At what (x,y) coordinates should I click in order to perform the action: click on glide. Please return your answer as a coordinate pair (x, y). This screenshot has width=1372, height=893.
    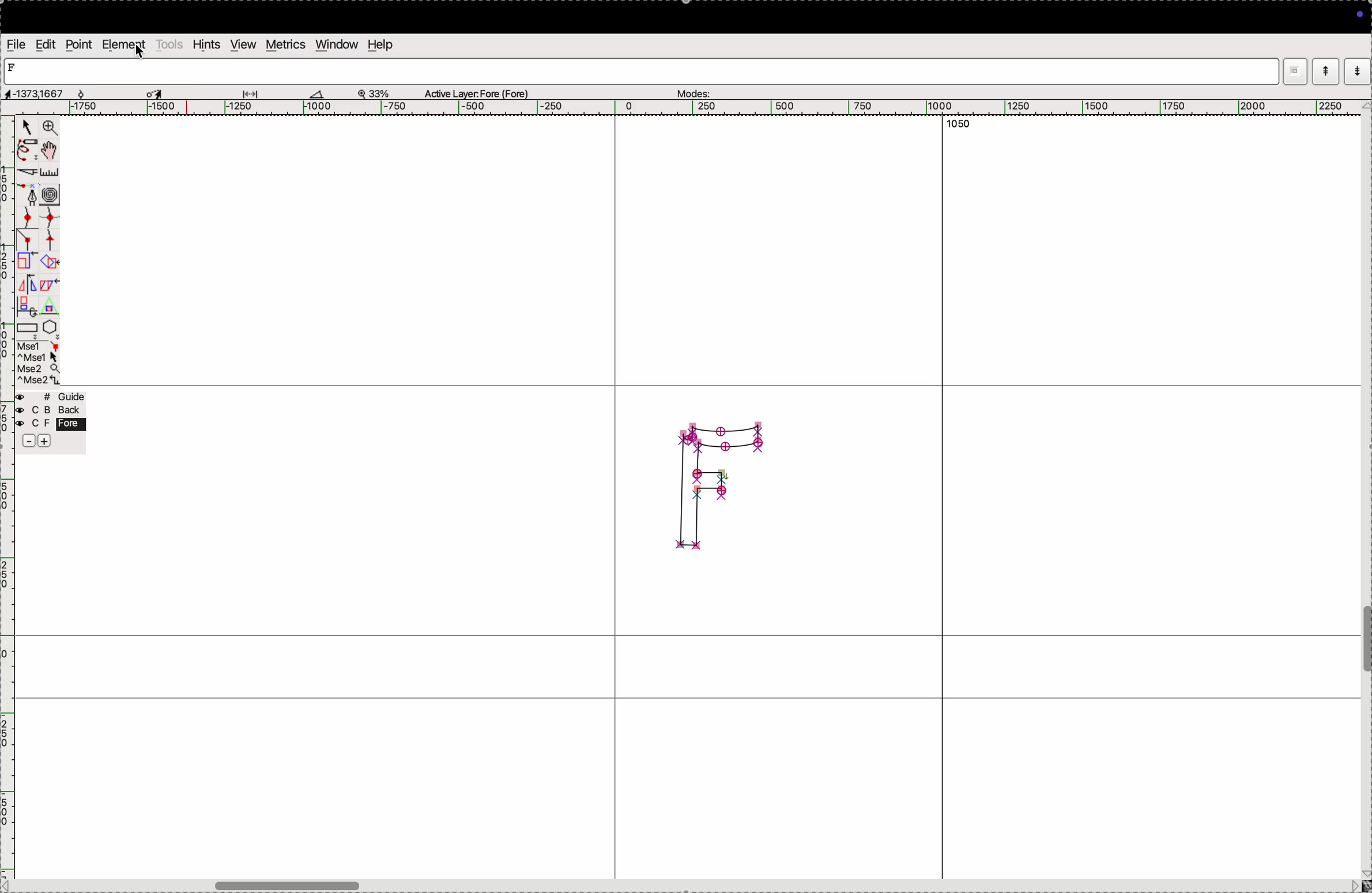
    Looking at the image, I should click on (254, 93).